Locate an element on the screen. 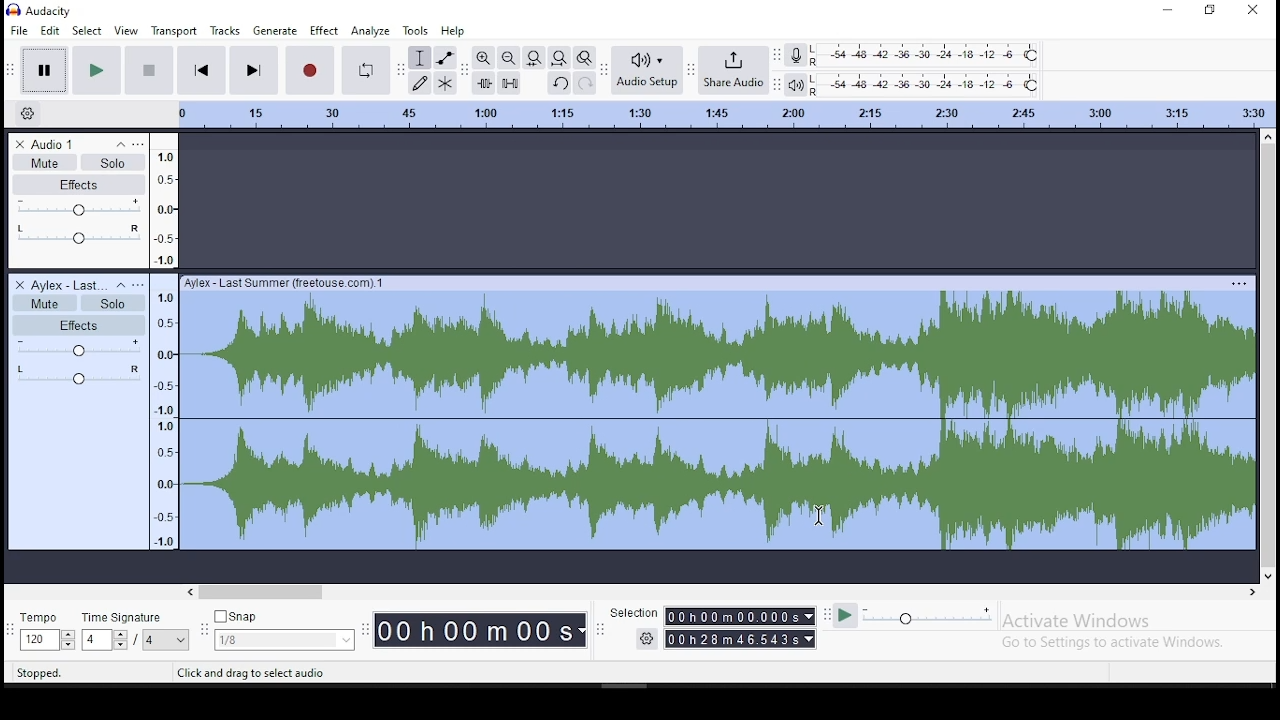 The image size is (1280, 720). undo is located at coordinates (558, 83).